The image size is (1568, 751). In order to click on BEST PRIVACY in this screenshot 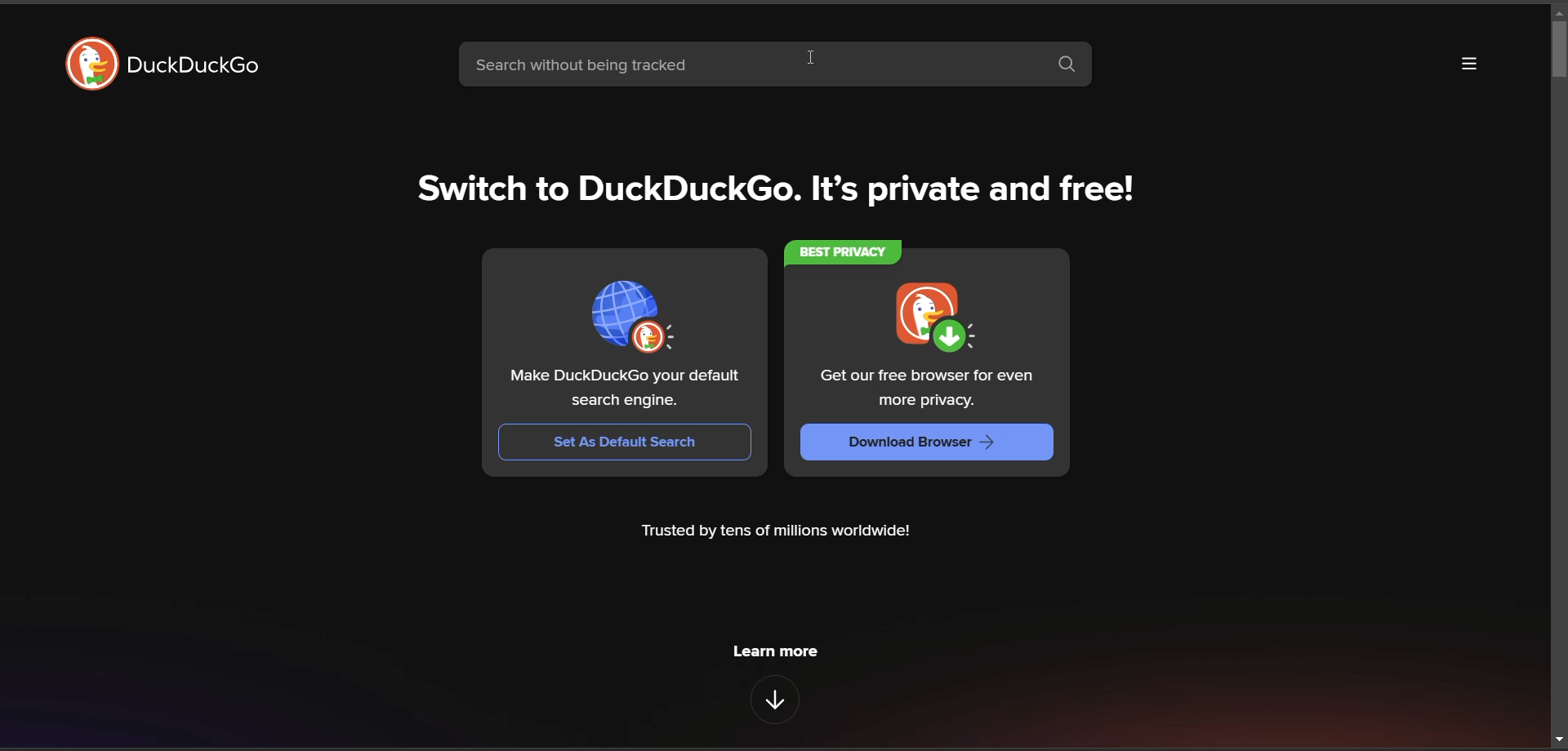, I will do `click(846, 255)`.